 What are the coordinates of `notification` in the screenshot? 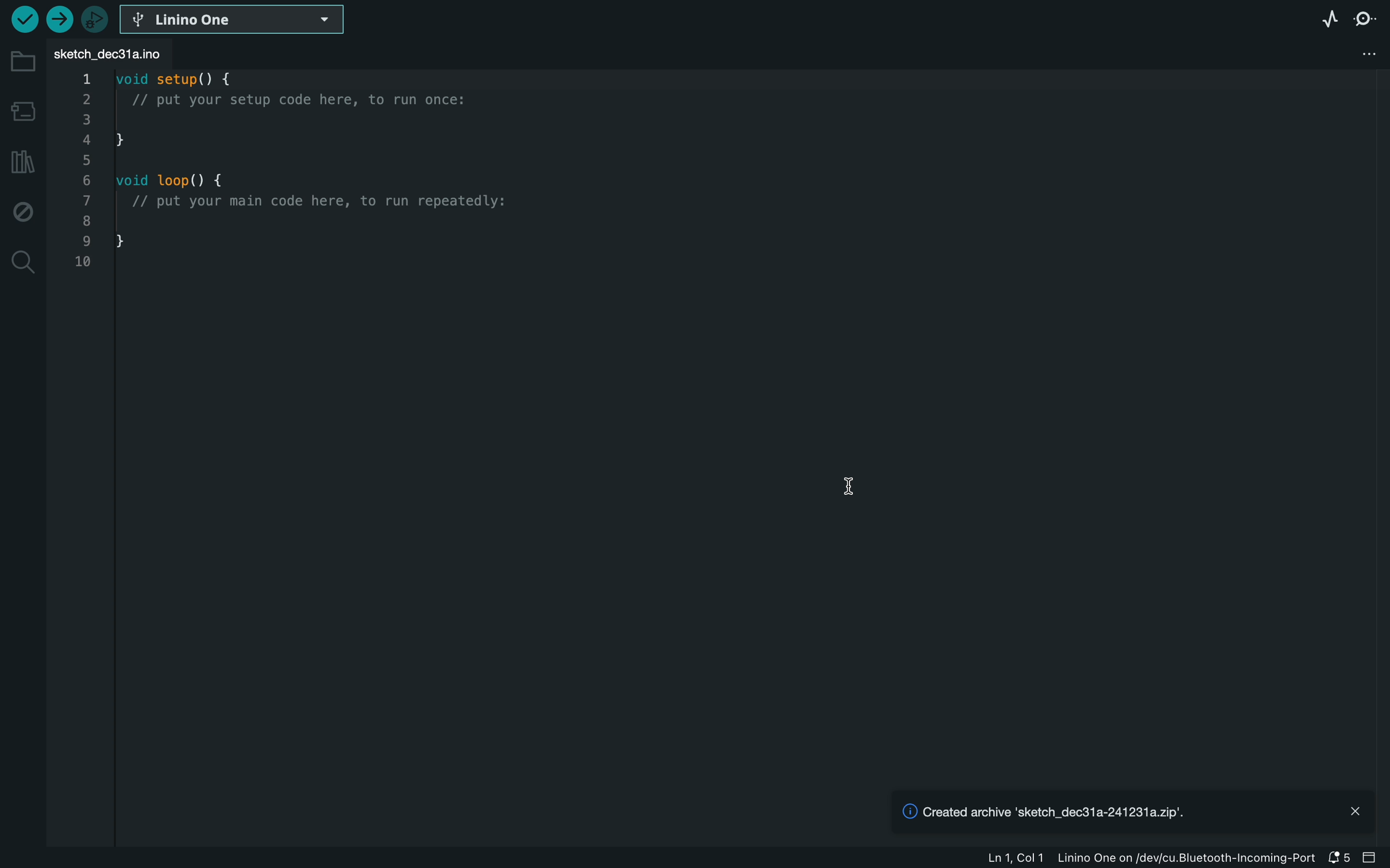 It's located at (1338, 859).